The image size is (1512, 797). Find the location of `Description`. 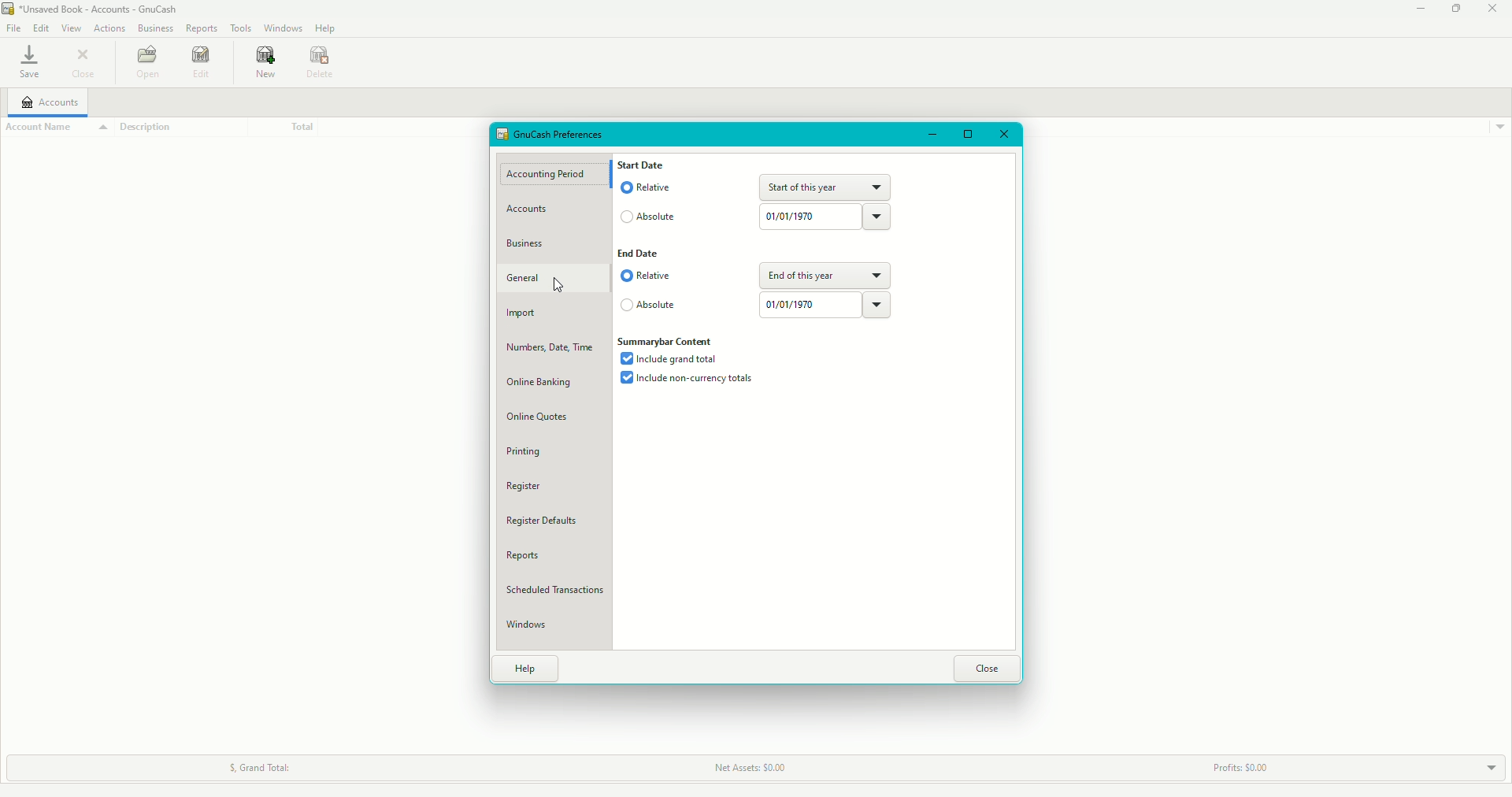

Description is located at coordinates (154, 128).